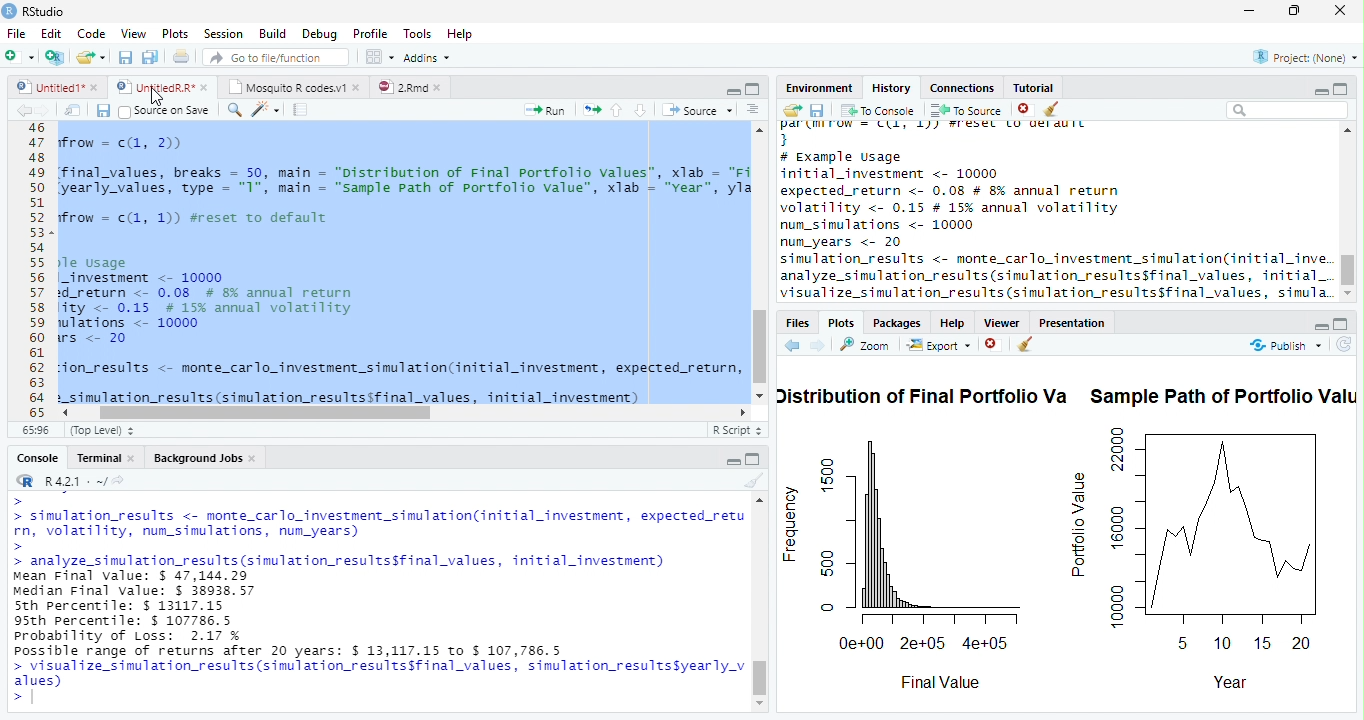 The height and width of the screenshot is (720, 1364). I want to click on Code, so click(89, 33).